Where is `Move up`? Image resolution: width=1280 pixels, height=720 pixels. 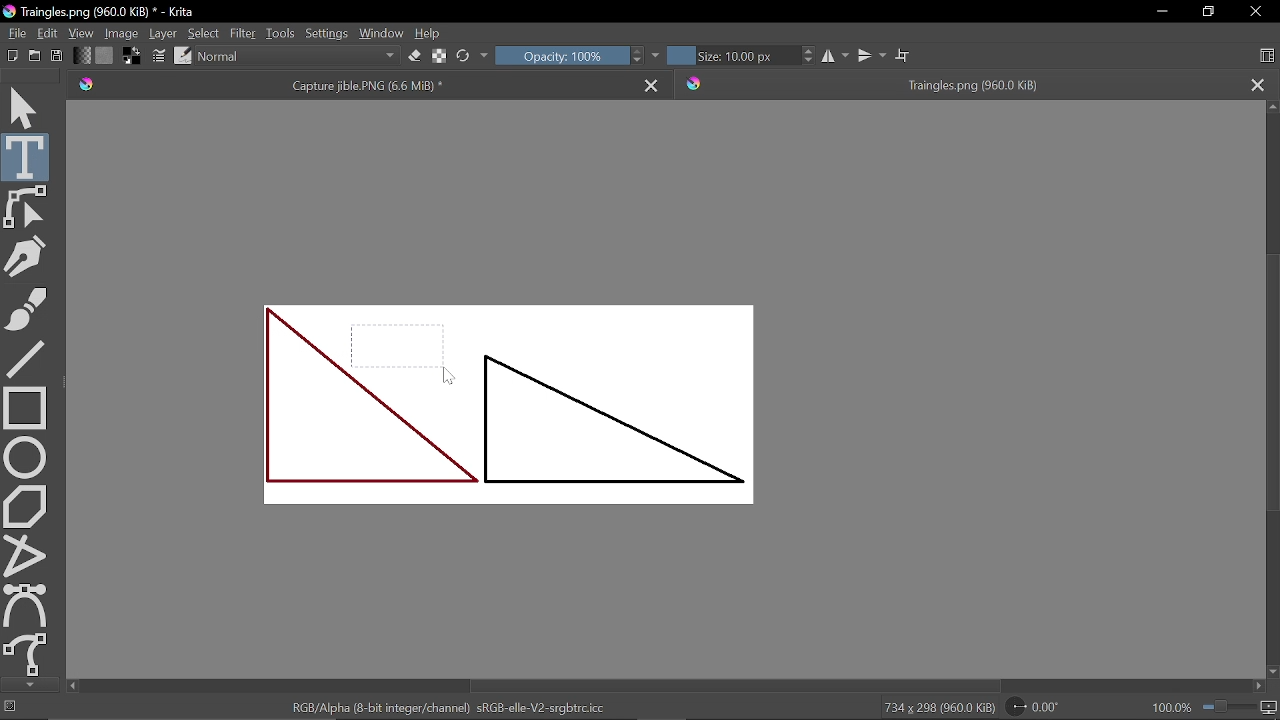 Move up is located at coordinates (1272, 109).